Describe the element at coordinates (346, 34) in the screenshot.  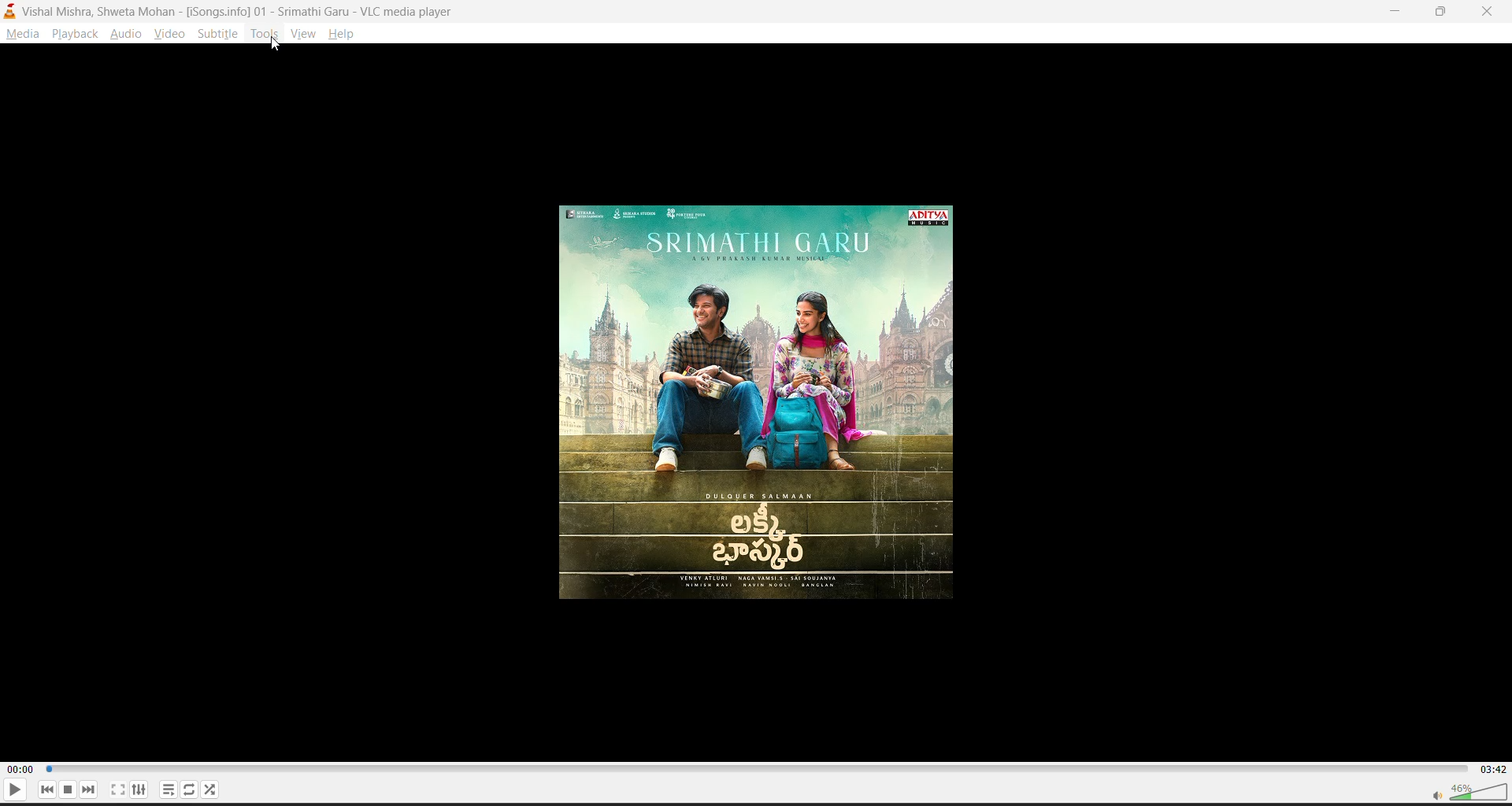
I see `help` at that location.